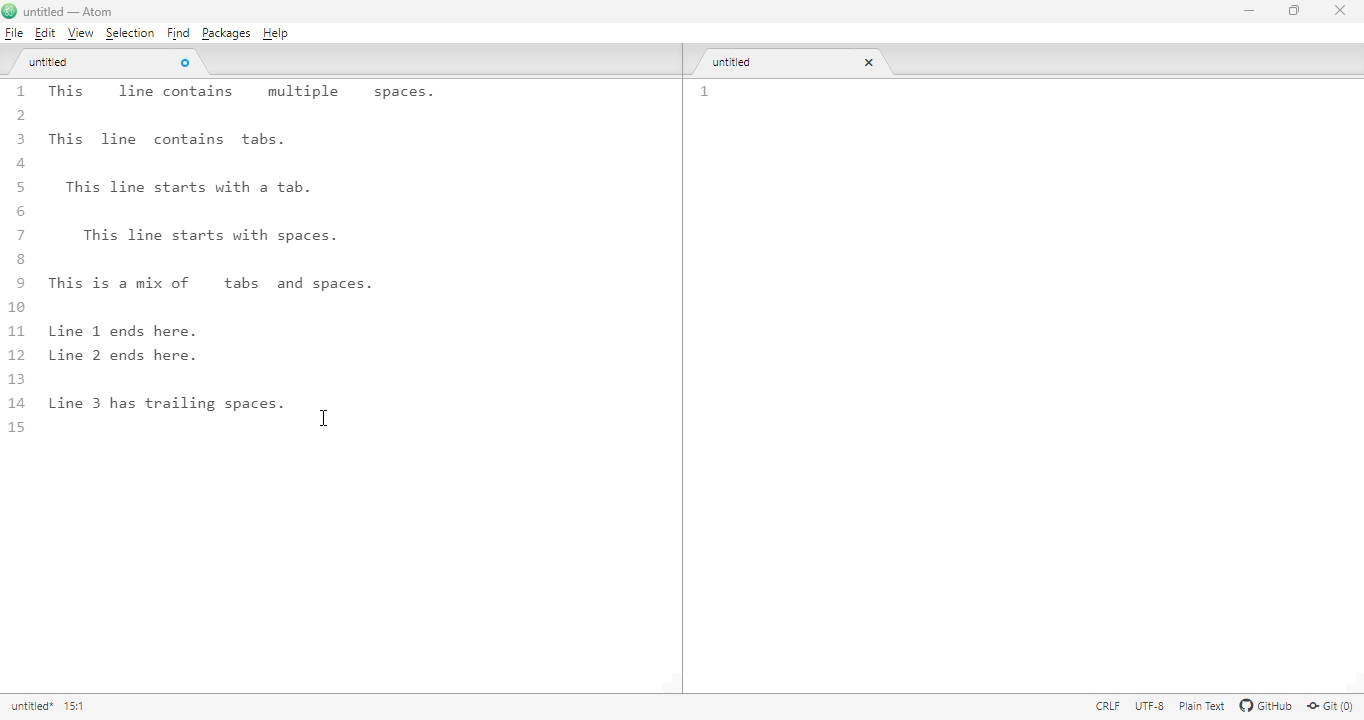  I want to click on close tab, so click(869, 62).